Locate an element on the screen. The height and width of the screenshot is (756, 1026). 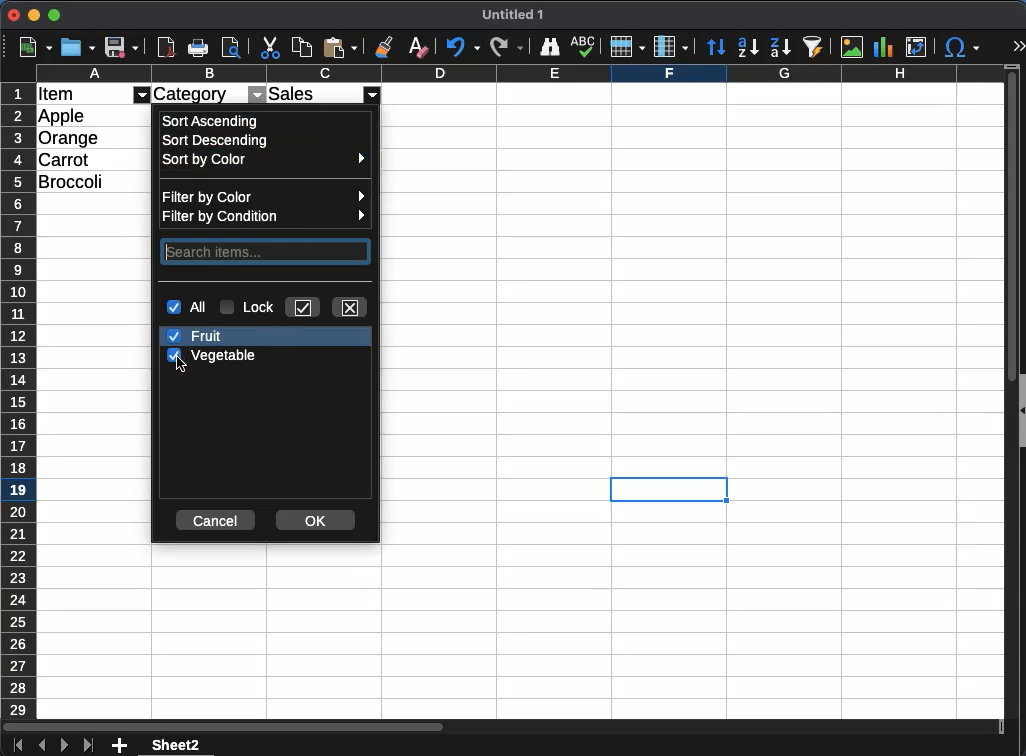
lock is located at coordinates (249, 307).